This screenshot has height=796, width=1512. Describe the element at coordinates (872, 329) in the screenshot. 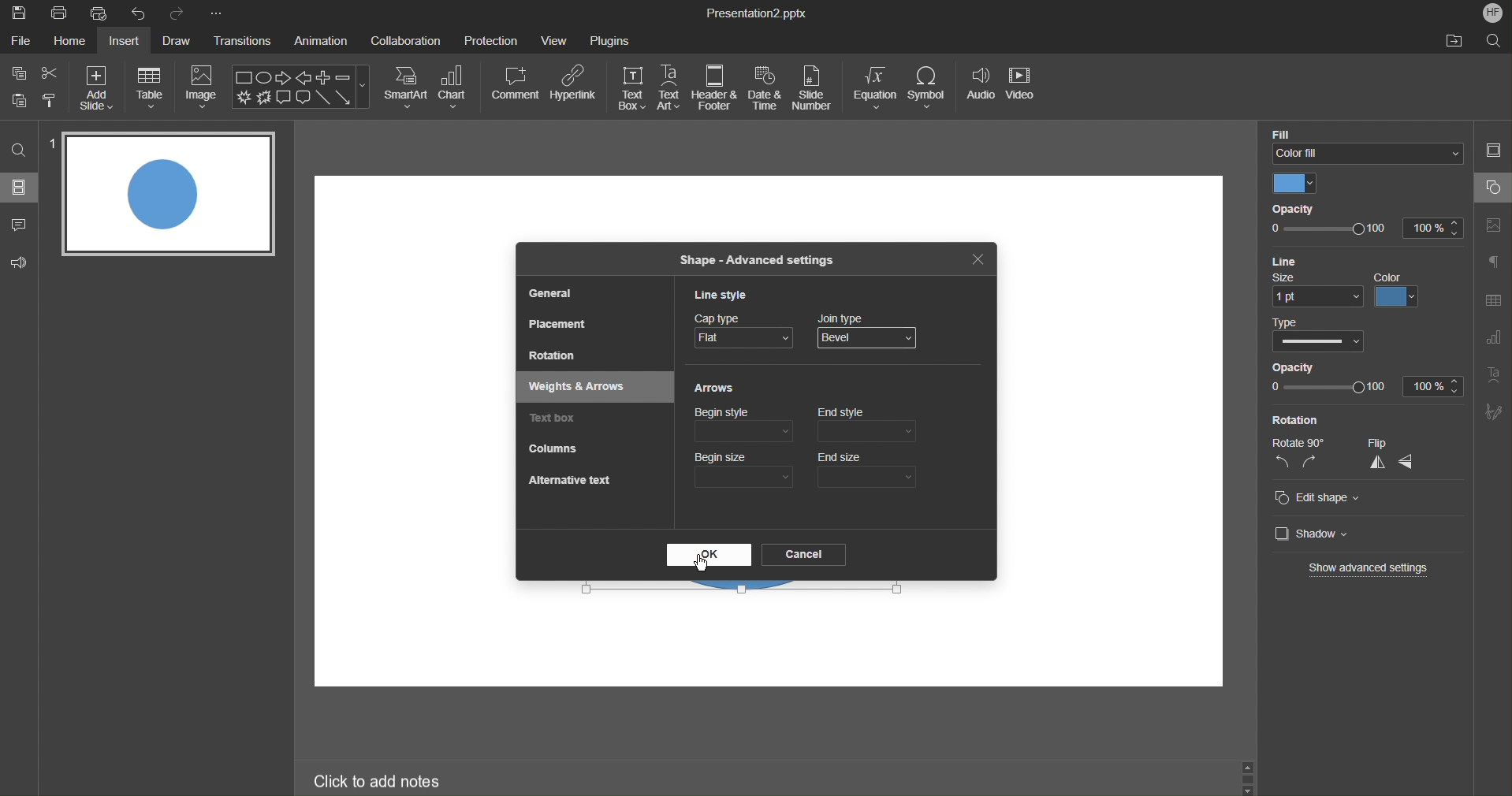

I see `Join Type` at that location.